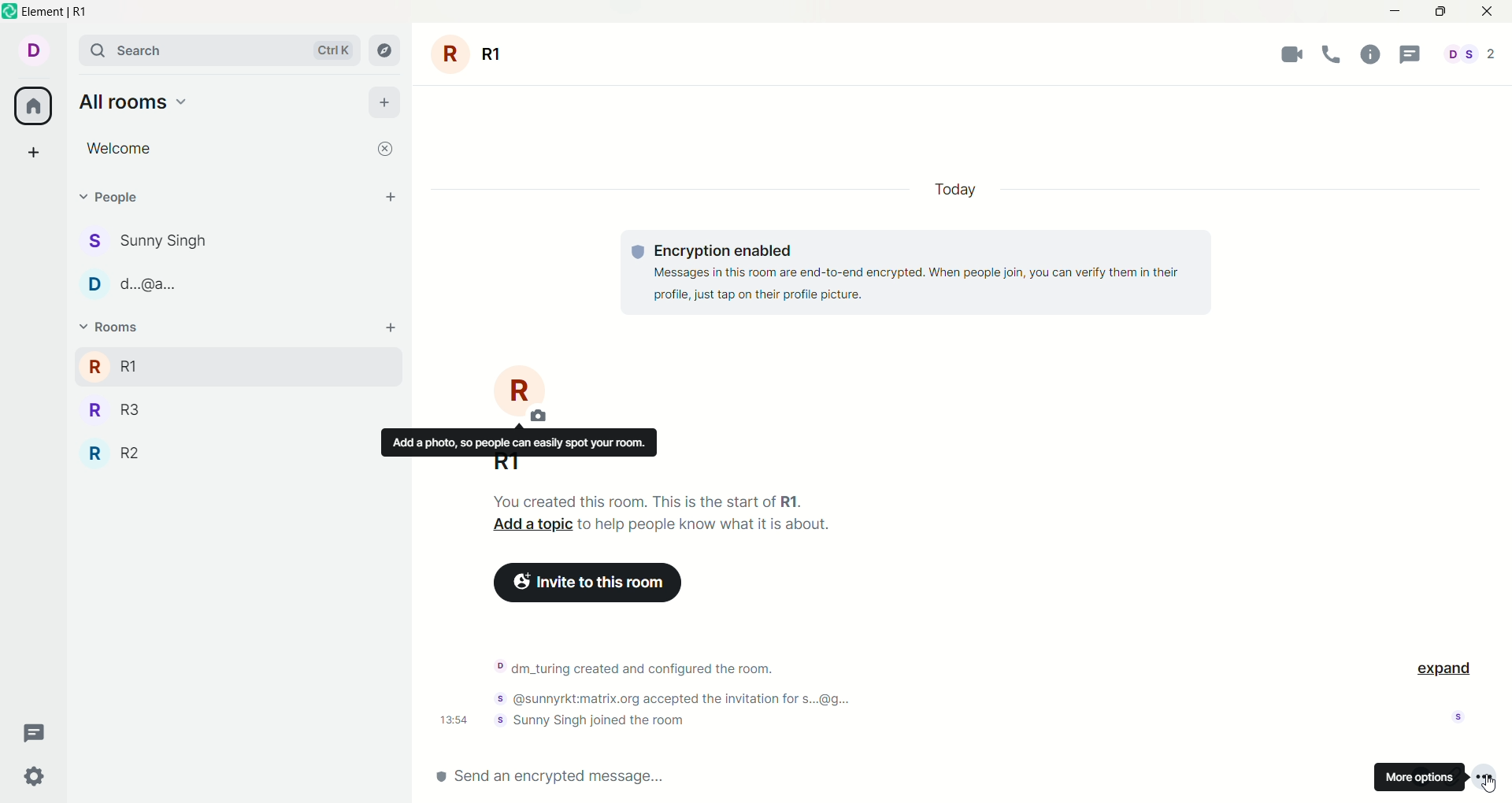  I want to click on all rooms, so click(135, 102).